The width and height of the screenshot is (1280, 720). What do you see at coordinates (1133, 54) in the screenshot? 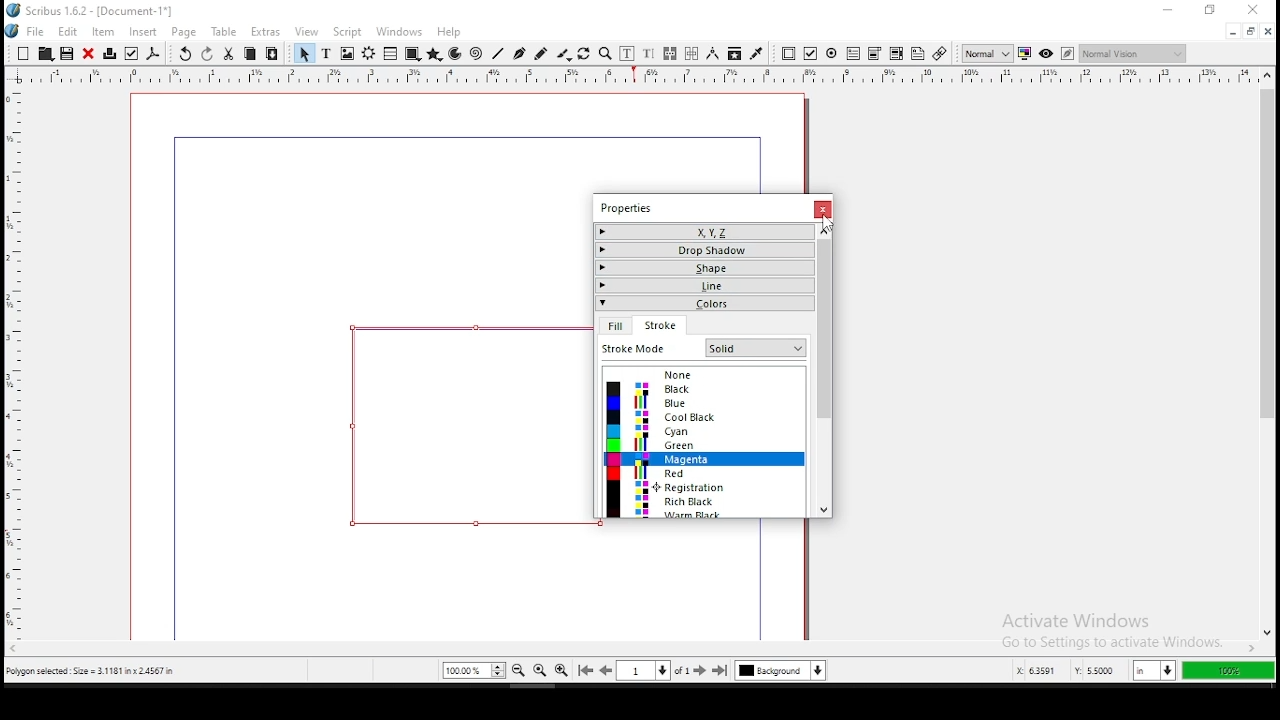
I see `normal vision` at bounding box center [1133, 54].